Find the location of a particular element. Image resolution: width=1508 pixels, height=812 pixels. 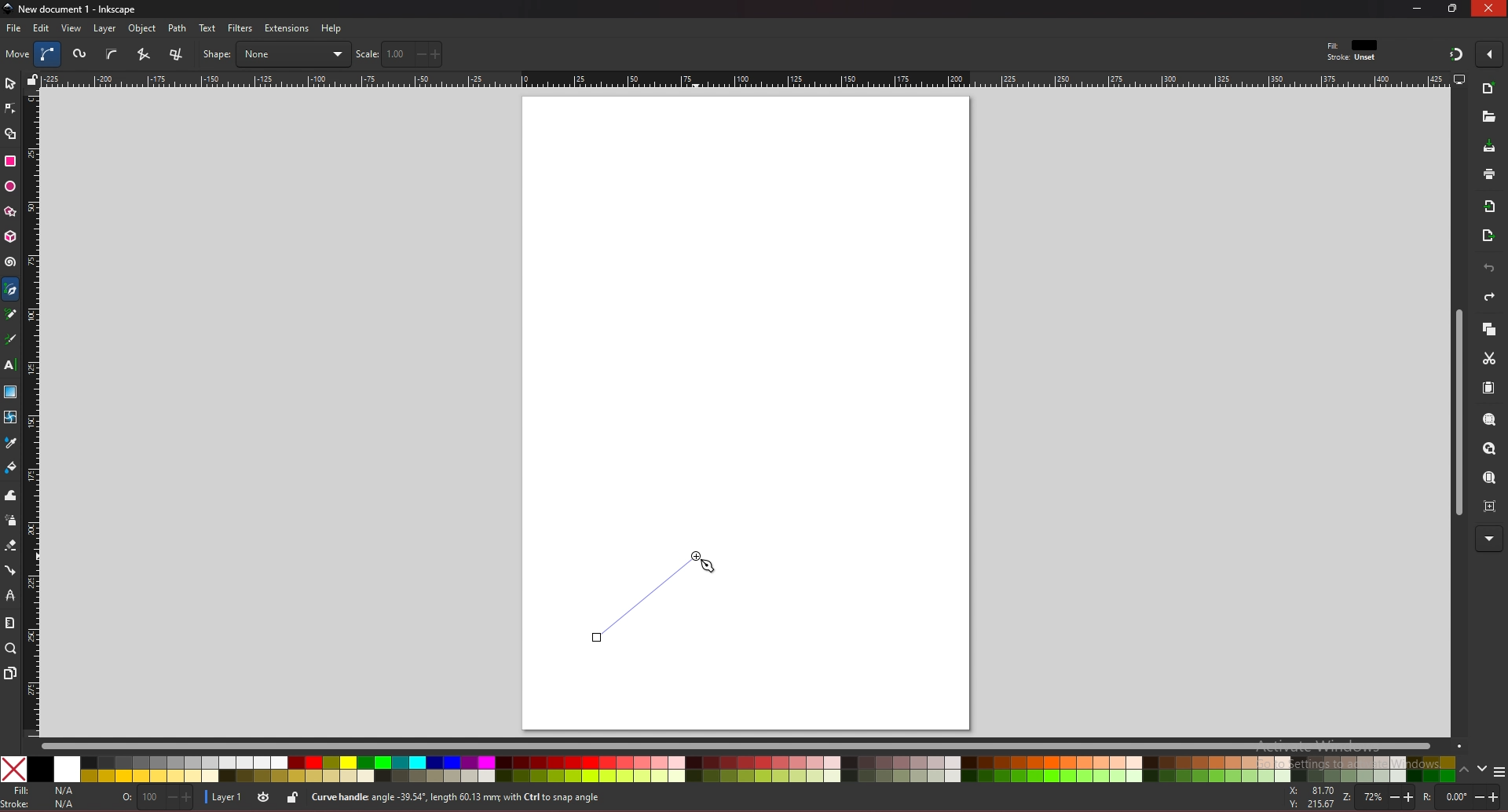

redo is located at coordinates (1489, 297).